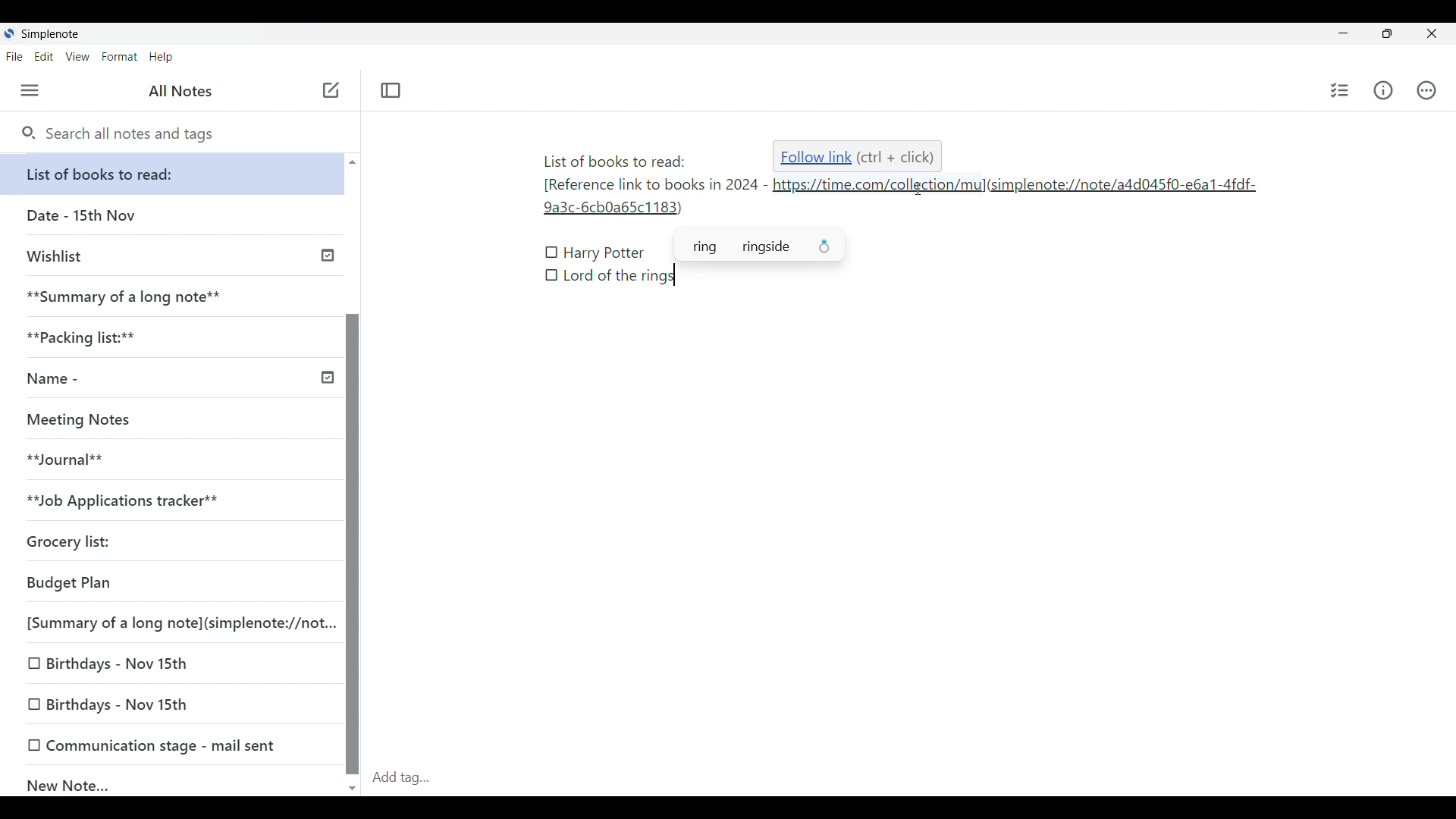 The image size is (1456, 819). Describe the element at coordinates (30, 91) in the screenshot. I see `Menu` at that location.